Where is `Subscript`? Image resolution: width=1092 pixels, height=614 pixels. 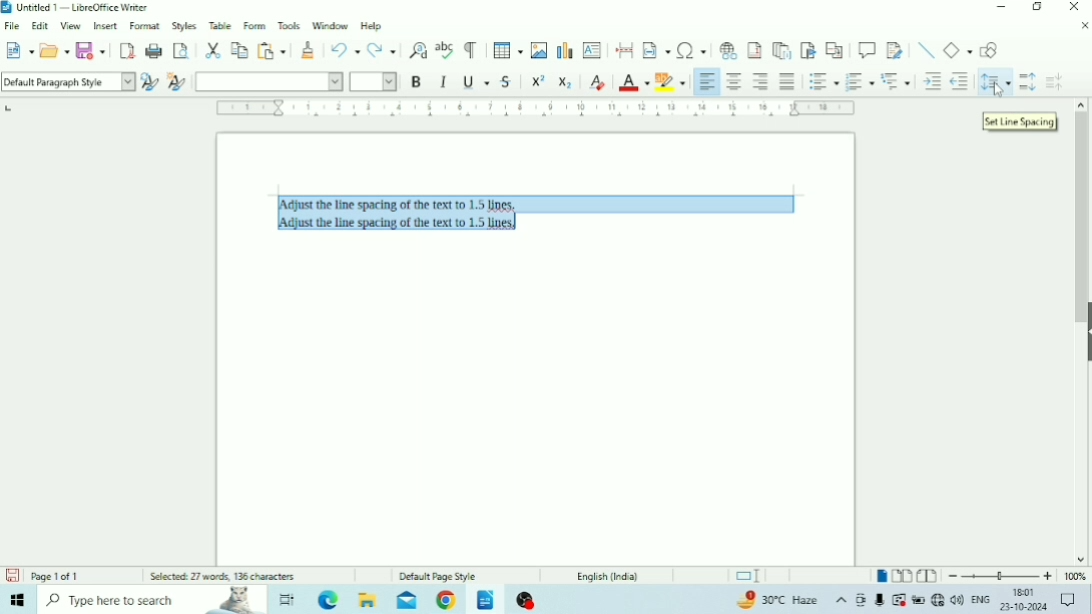 Subscript is located at coordinates (566, 82).